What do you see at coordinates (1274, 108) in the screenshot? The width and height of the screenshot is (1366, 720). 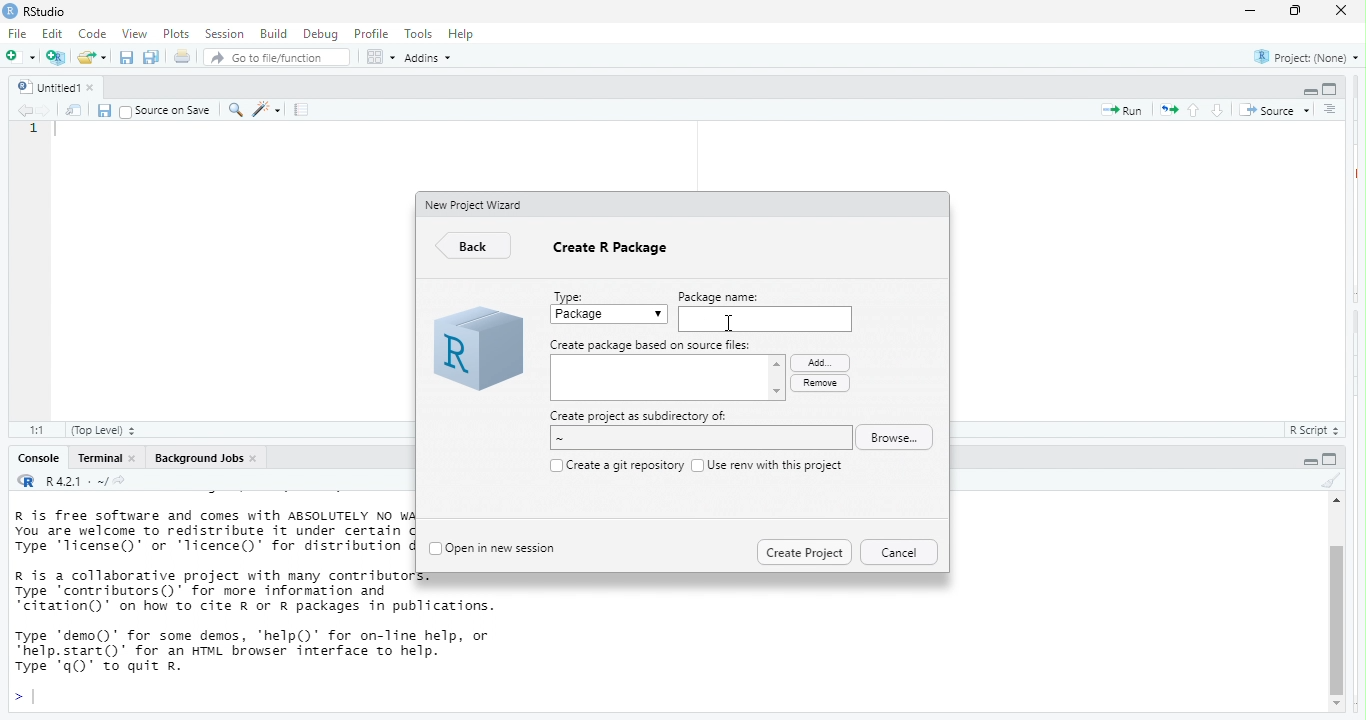 I see `source` at bounding box center [1274, 108].